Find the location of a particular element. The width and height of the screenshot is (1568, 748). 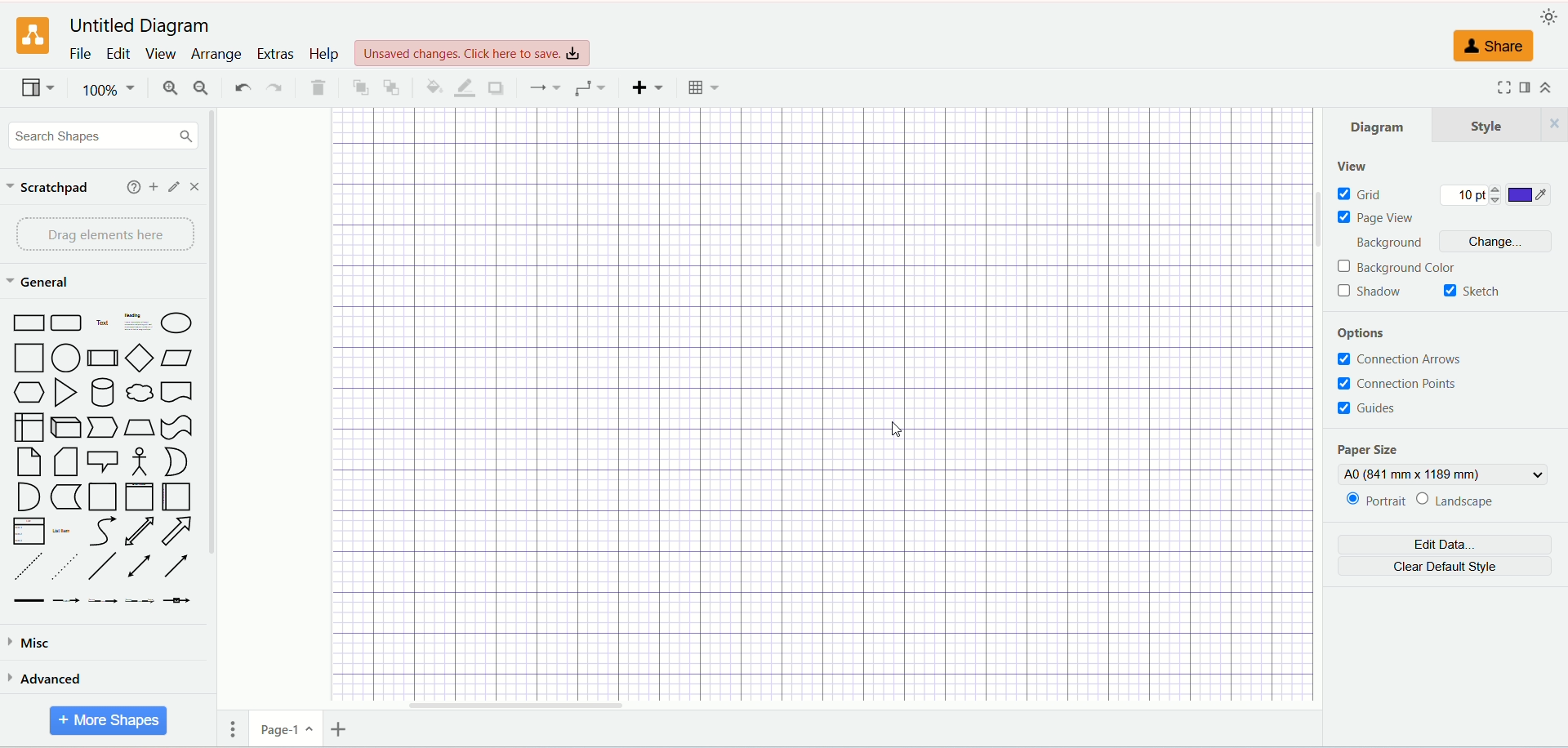

undo is located at coordinates (242, 87).